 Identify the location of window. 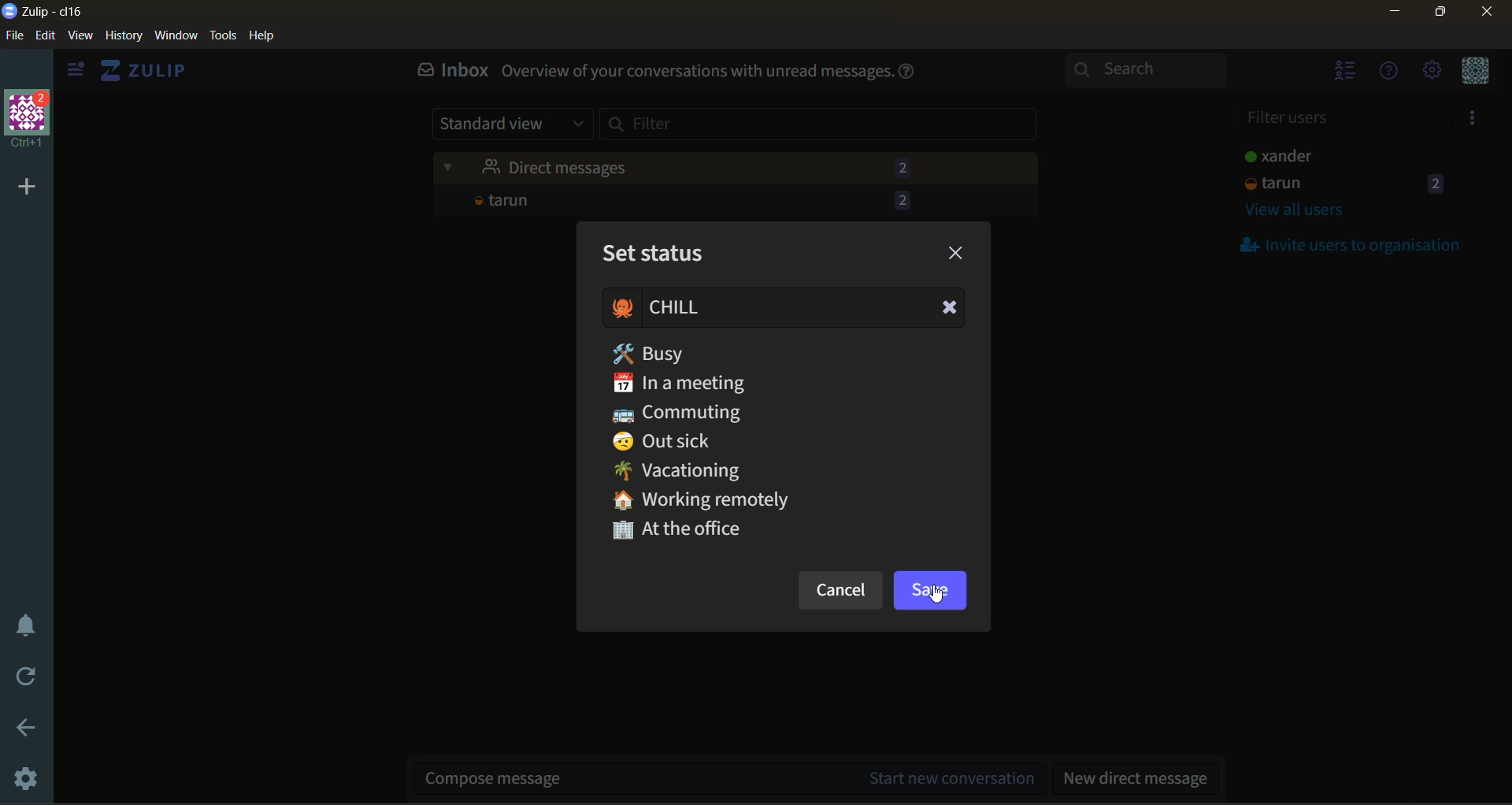
(178, 37).